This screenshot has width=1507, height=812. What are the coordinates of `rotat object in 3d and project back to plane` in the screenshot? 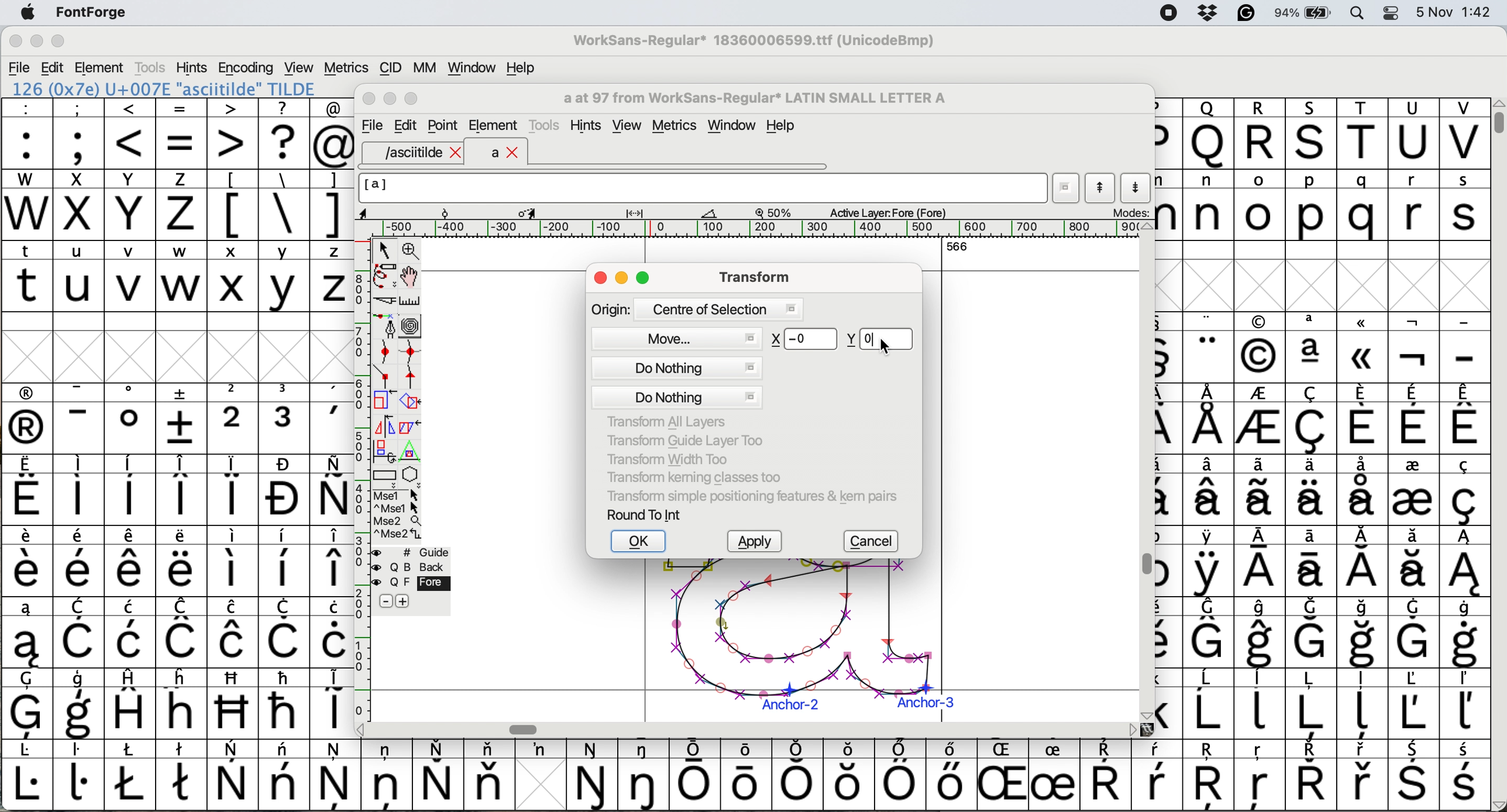 It's located at (383, 450).